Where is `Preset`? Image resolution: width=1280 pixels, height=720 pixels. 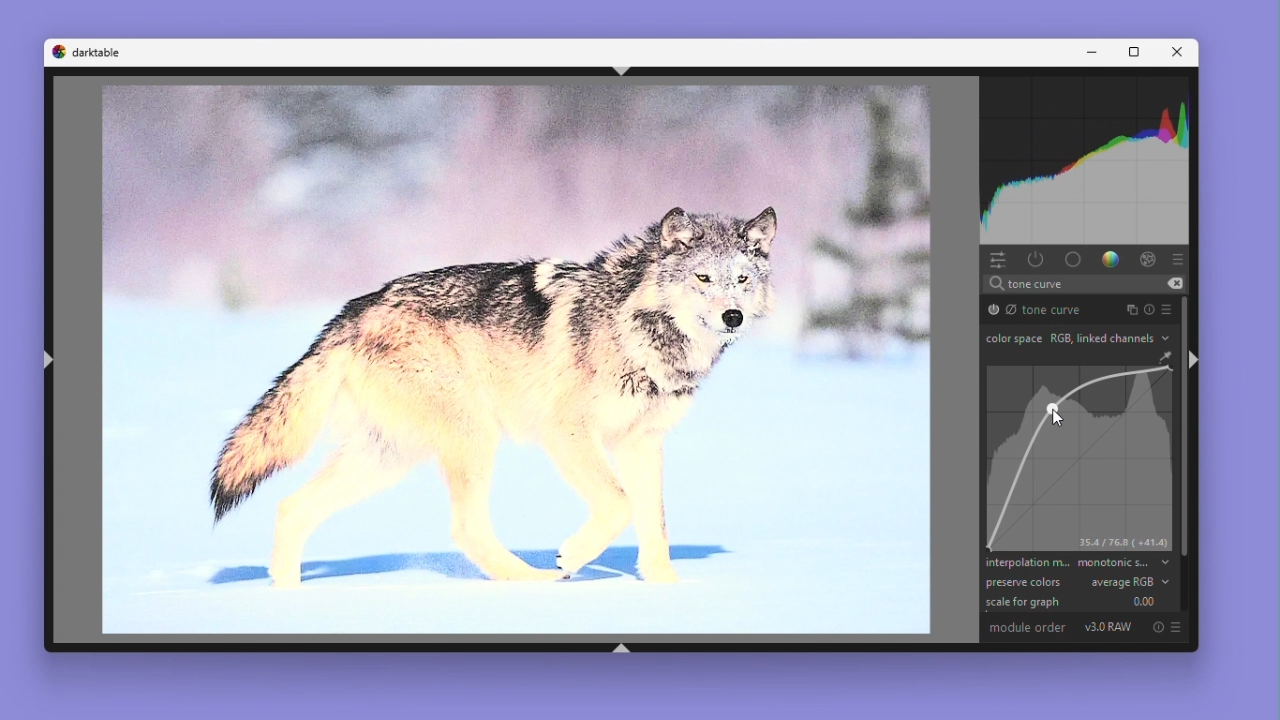 Preset is located at coordinates (1178, 260).